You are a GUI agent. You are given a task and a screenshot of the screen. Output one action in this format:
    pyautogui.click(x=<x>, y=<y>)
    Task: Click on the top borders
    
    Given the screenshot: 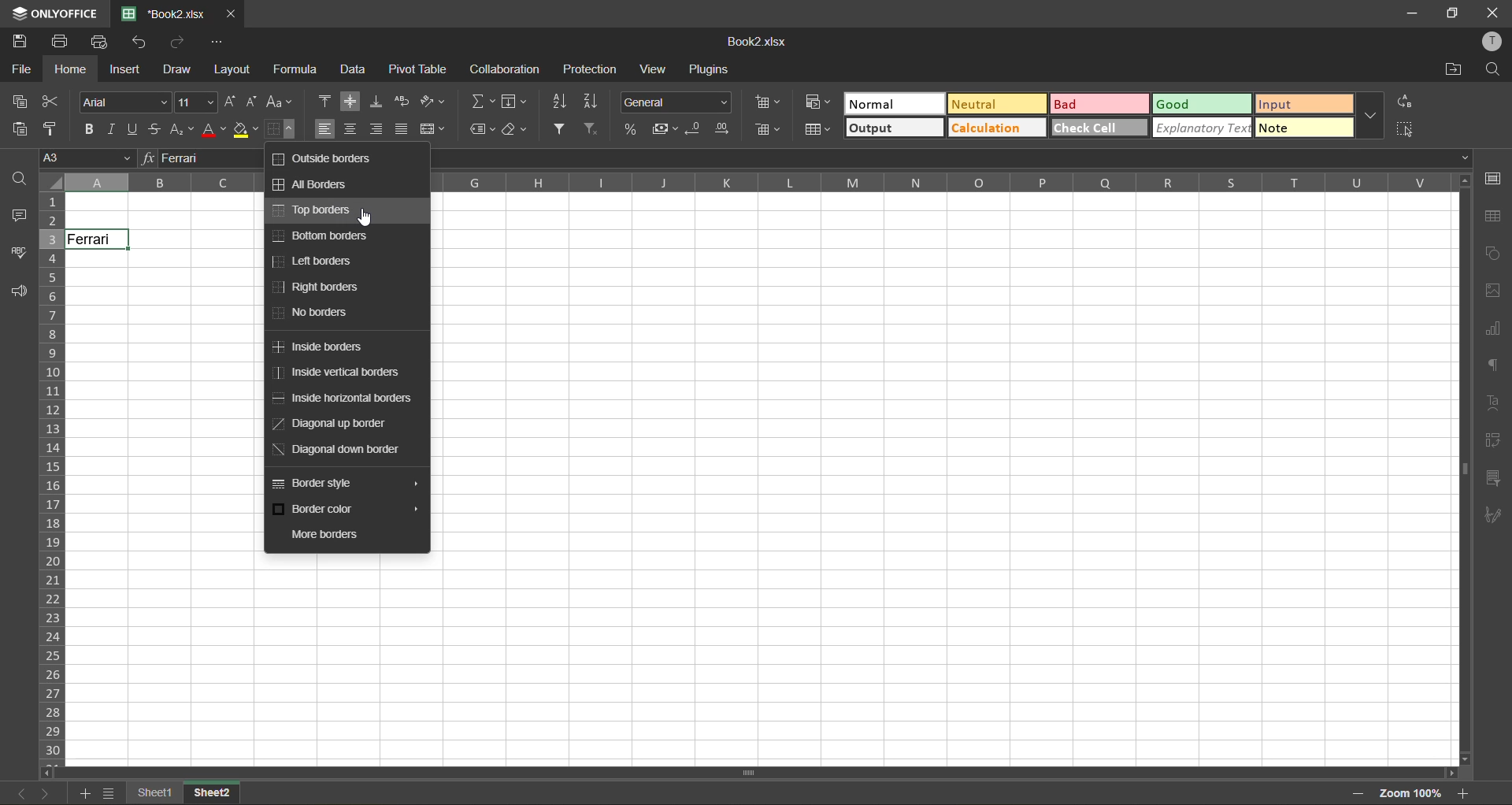 What is the action you would take?
    pyautogui.click(x=319, y=210)
    